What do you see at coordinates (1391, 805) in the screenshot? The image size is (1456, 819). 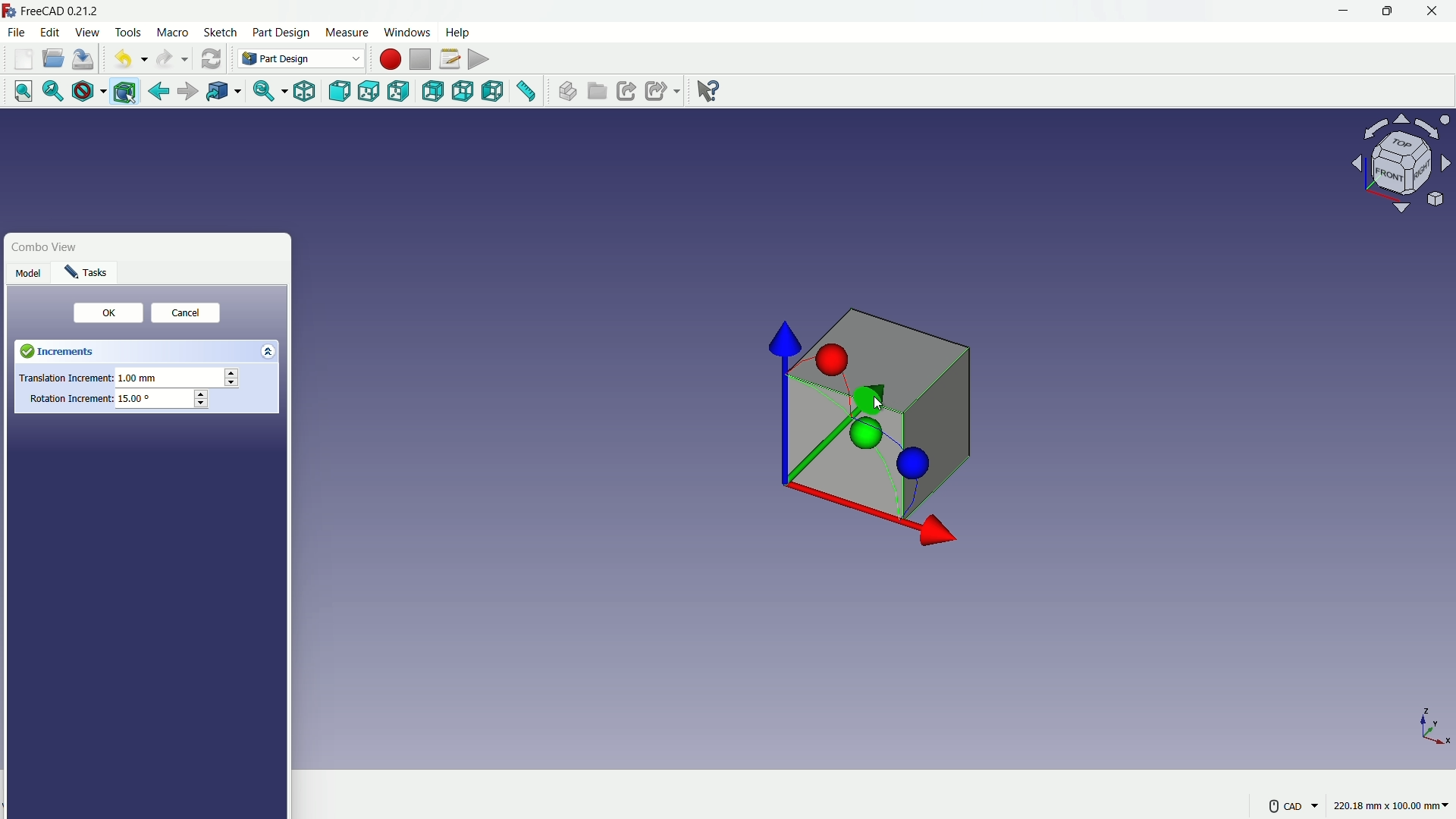 I see `220.18 mm x 100.00 mm~` at bounding box center [1391, 805].